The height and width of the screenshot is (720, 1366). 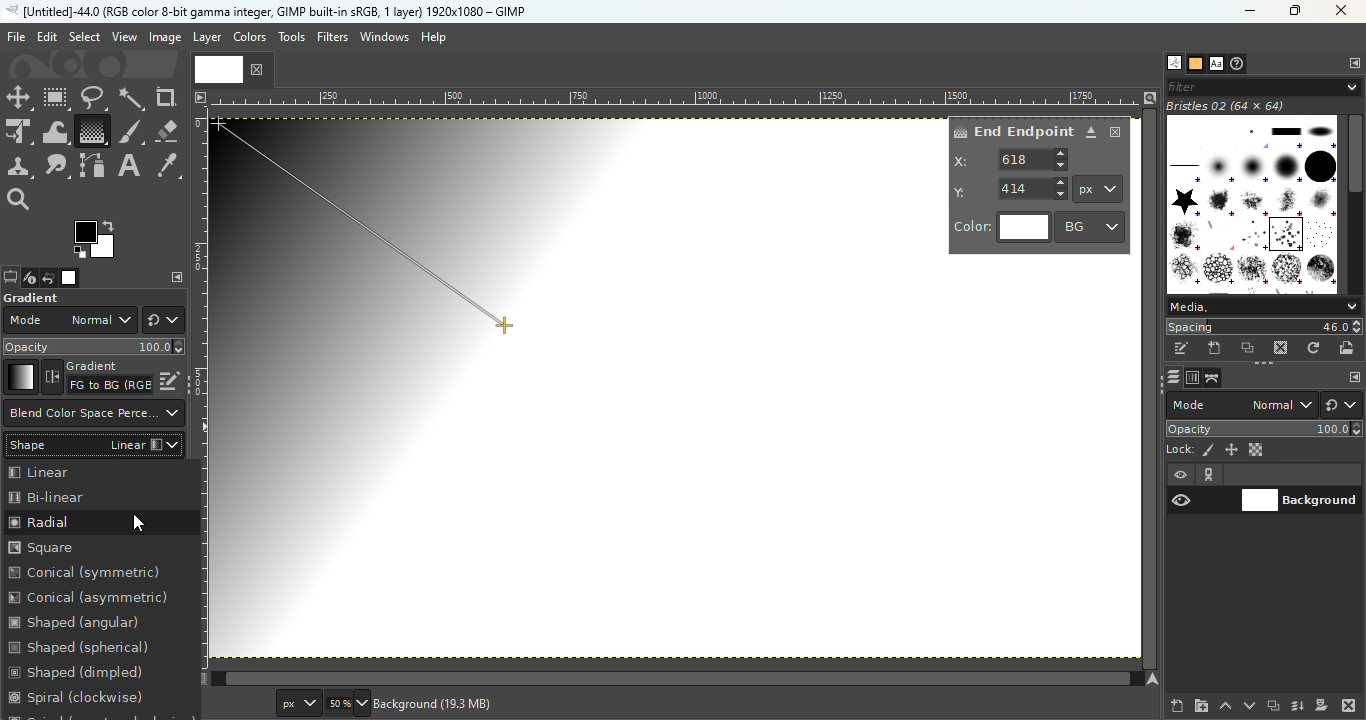 What do you see at coordinates (92, 97) in the screenshot?
I see `Free select tool` at bounding box center [92, 97].